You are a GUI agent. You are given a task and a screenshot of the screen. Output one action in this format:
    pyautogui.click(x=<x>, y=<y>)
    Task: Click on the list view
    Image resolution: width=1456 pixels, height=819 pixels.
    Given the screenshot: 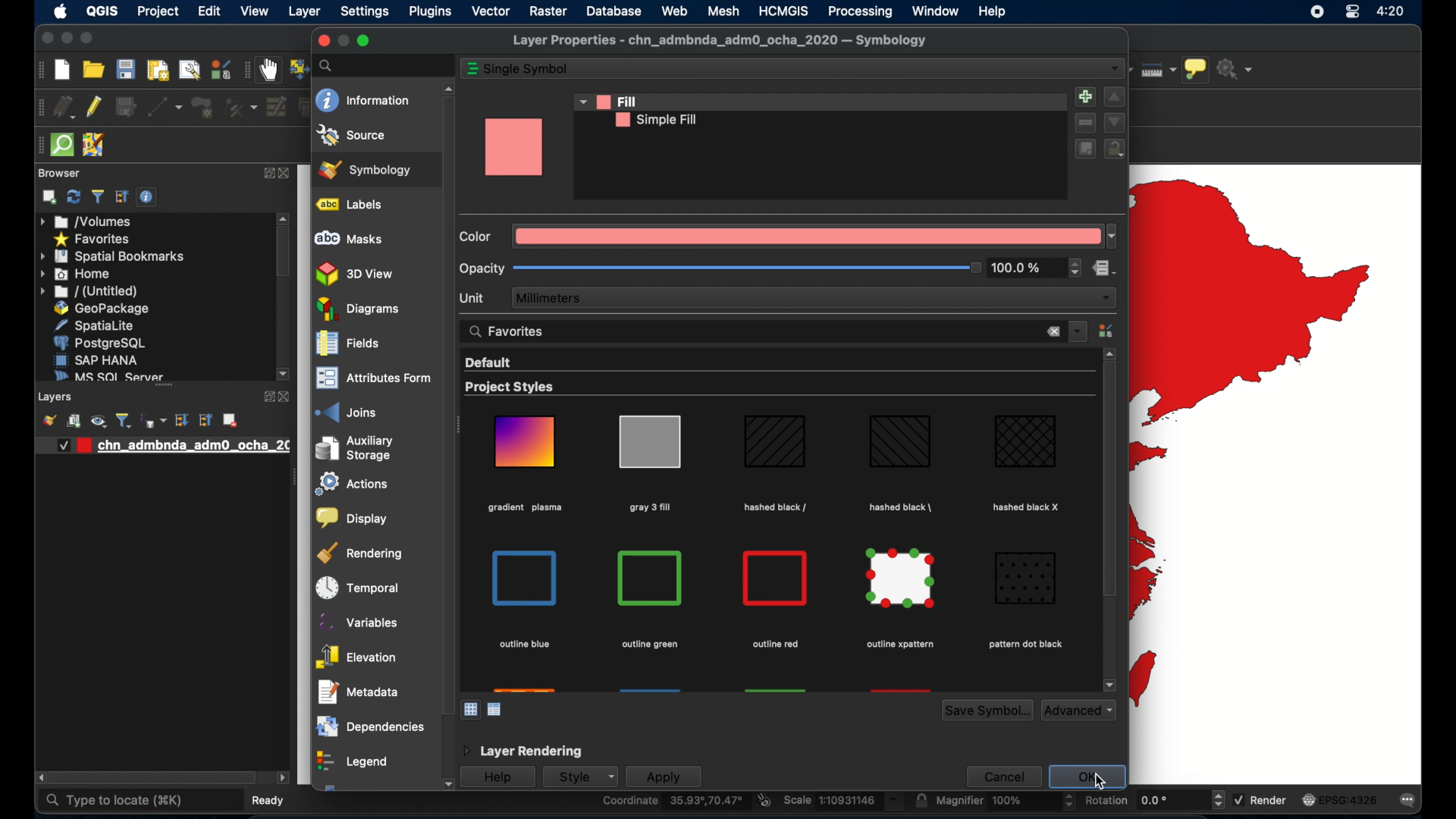 What is the action you would take?
    pyautogui.click(x=496, y=710)
    